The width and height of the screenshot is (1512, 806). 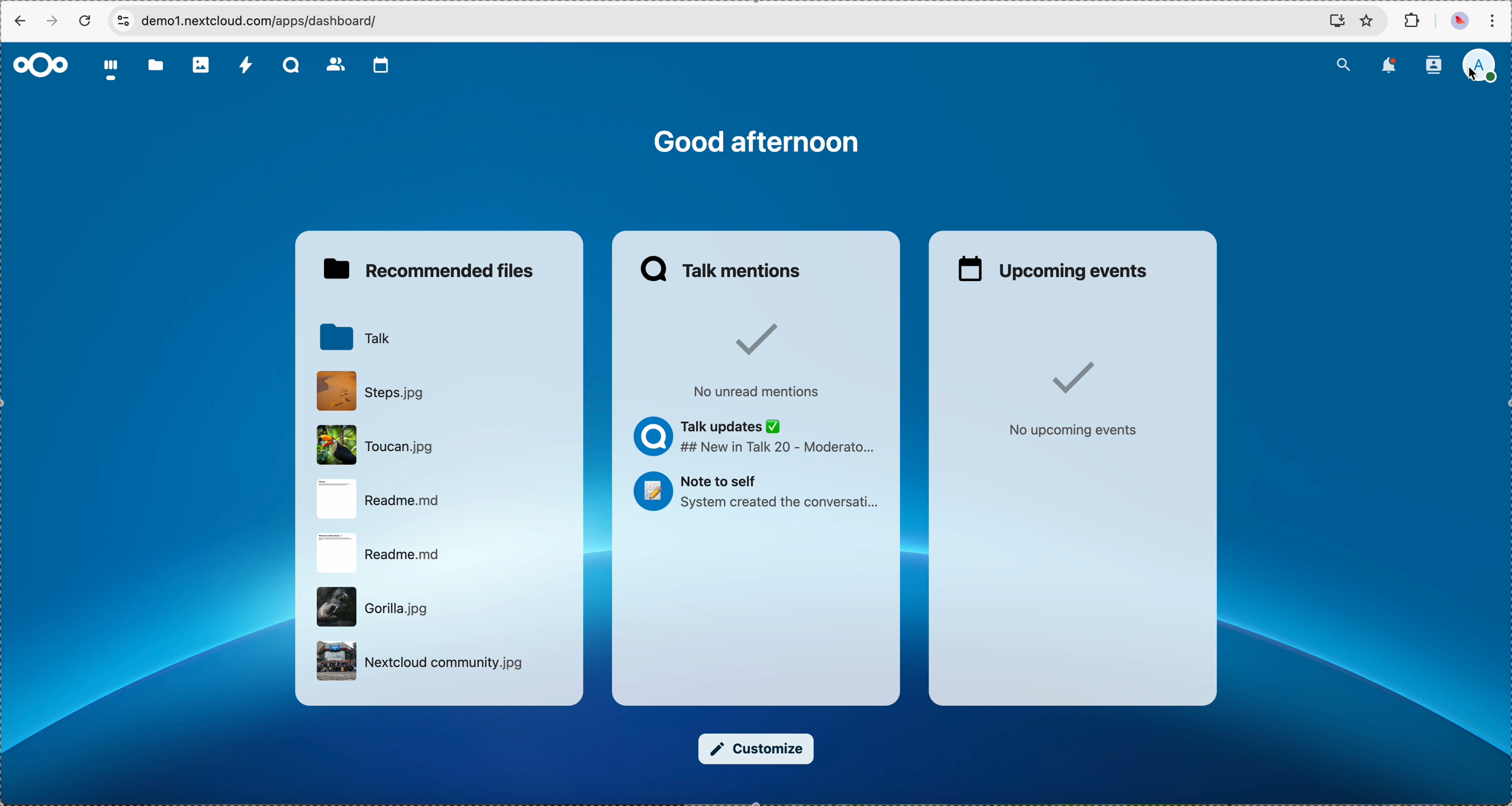 I want to click on file, so click(x=376, y=500).